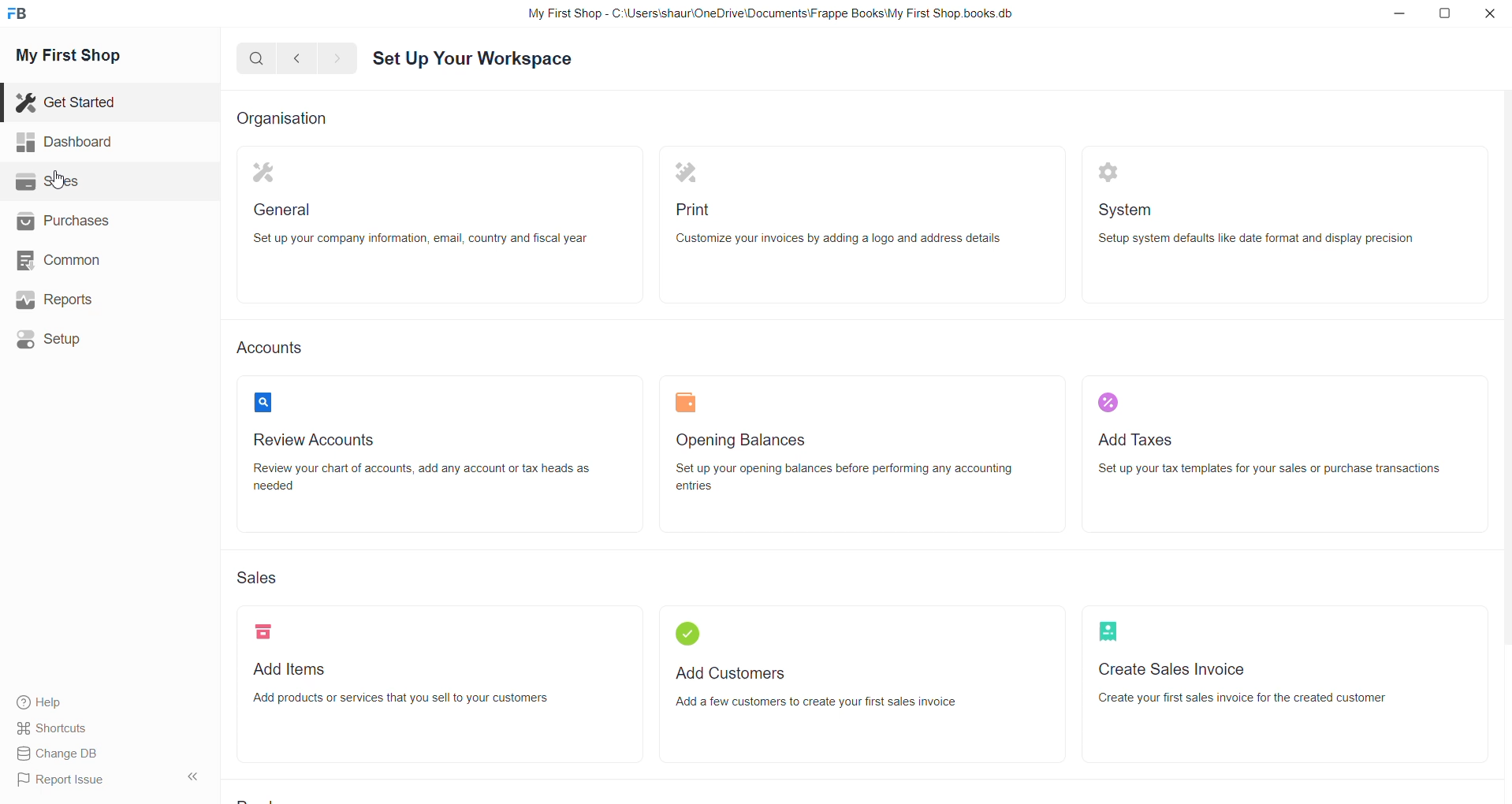  I want to click on Report Issue, so click(61, 779).